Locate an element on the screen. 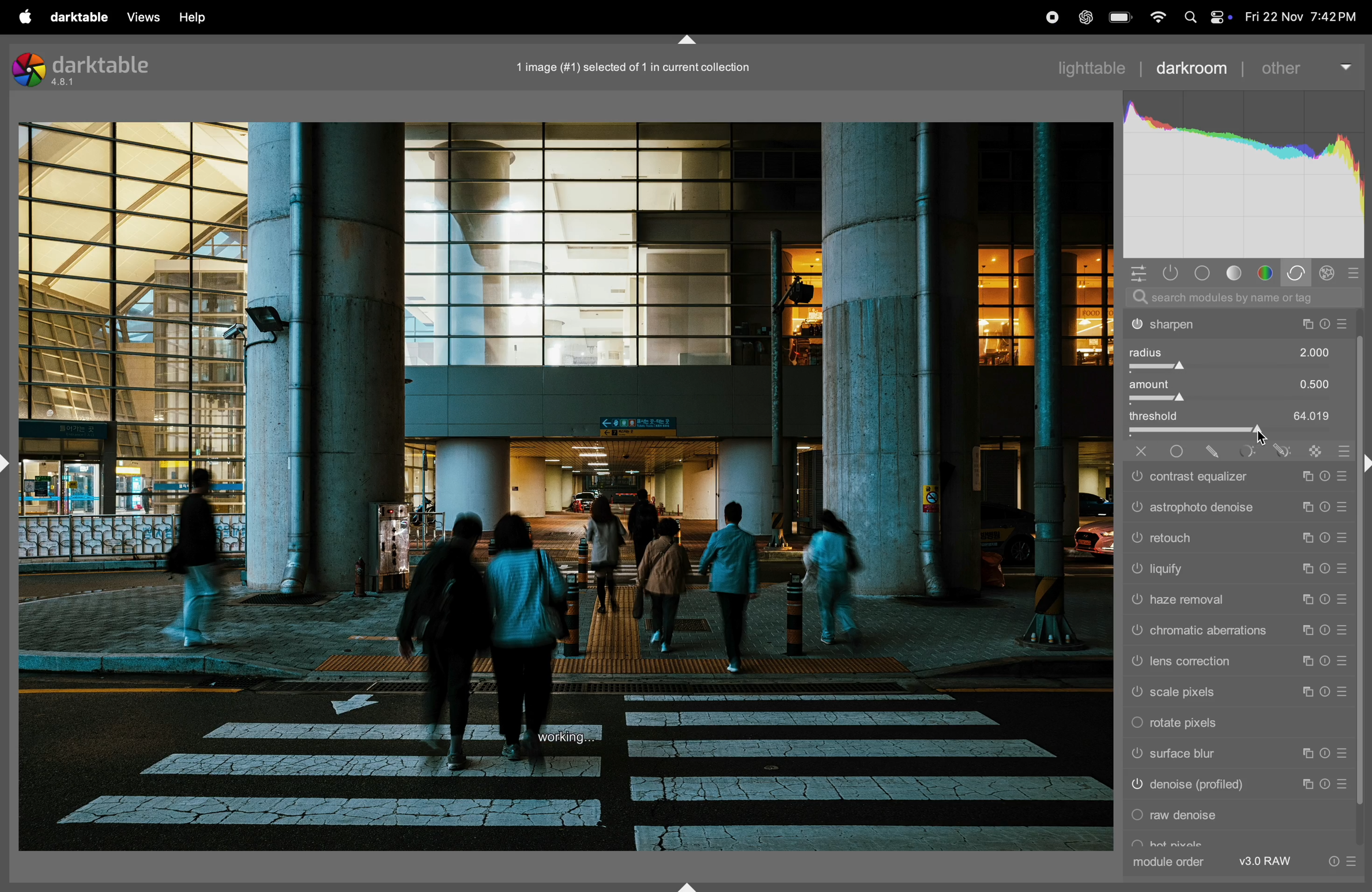 The image size is (1372, 892). info is located at coordinates (1340, 861).